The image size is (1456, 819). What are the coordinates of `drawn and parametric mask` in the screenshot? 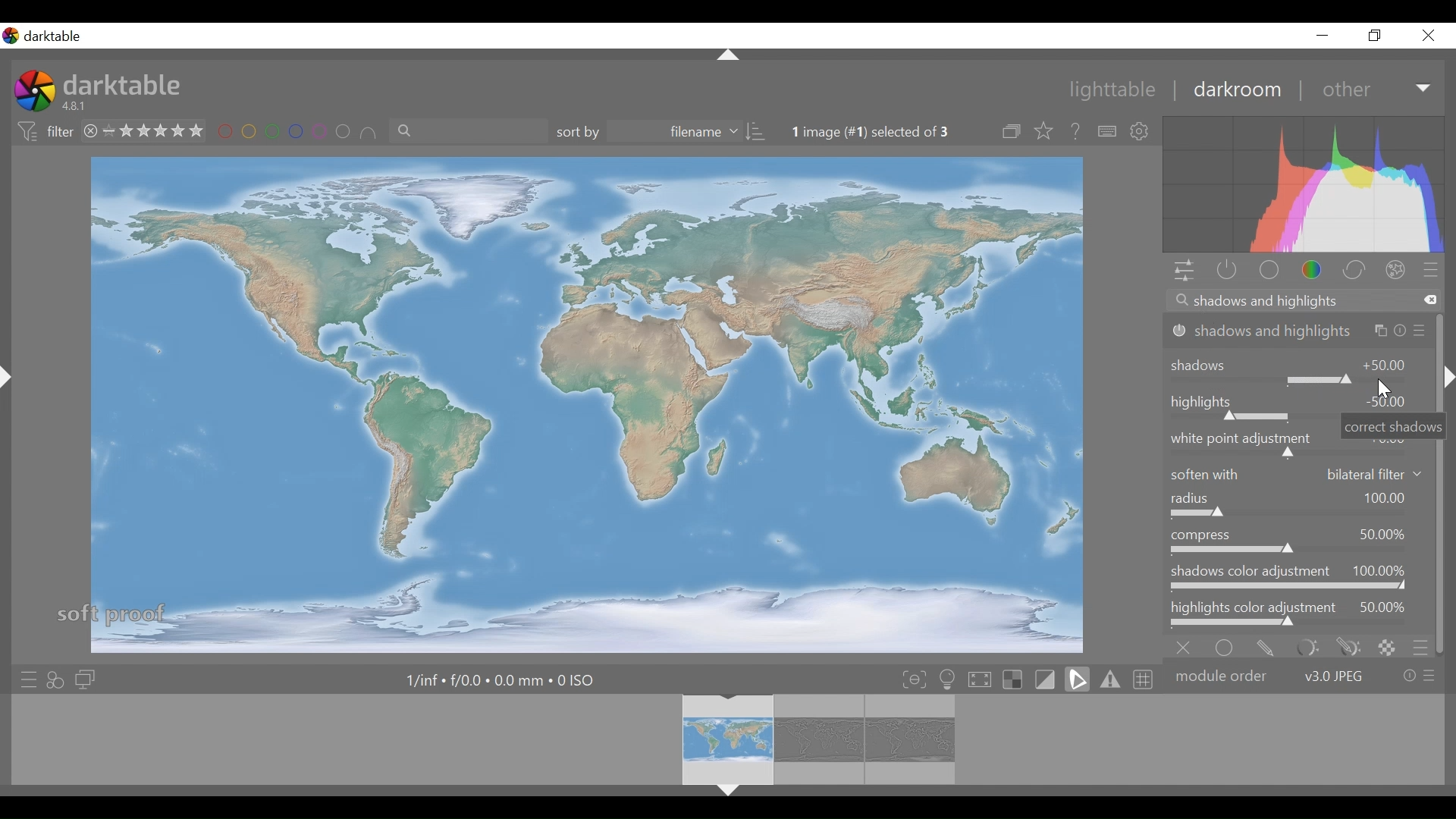 It's located at (1345, 646).